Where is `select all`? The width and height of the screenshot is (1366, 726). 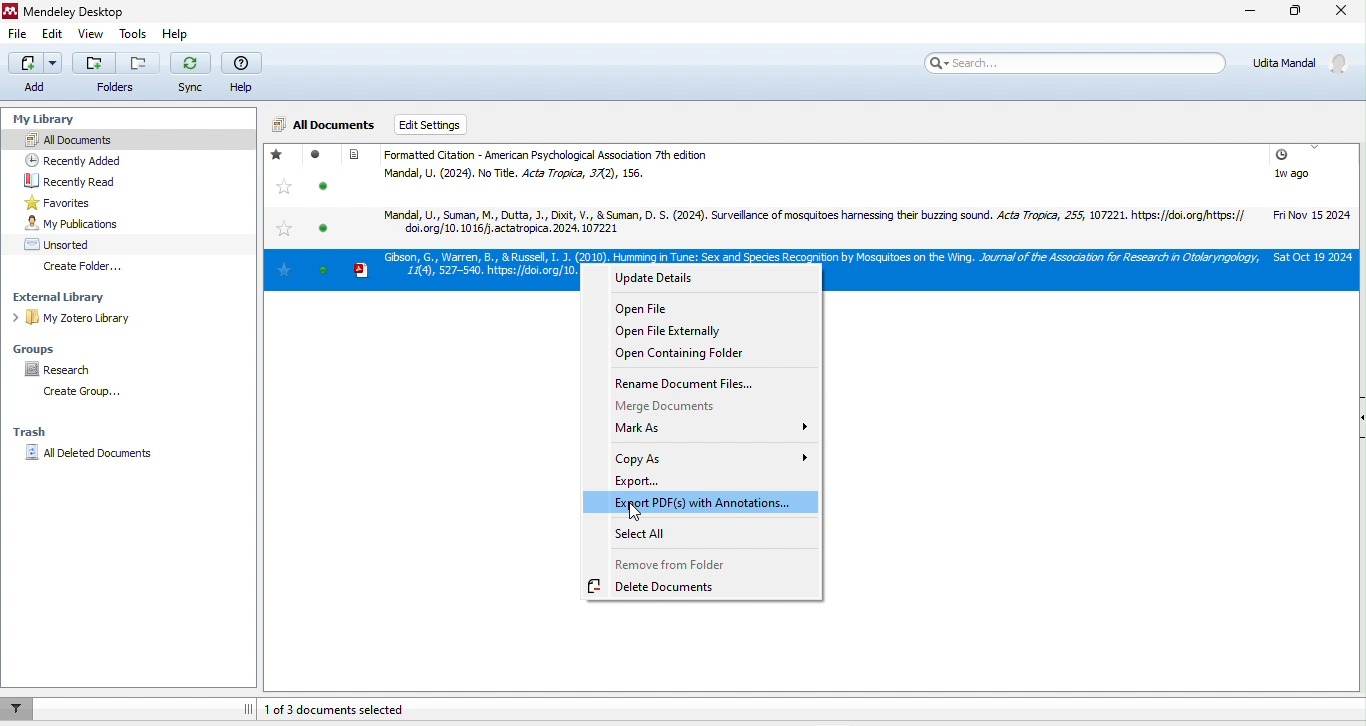
select all is located at coordinates (645, 534).